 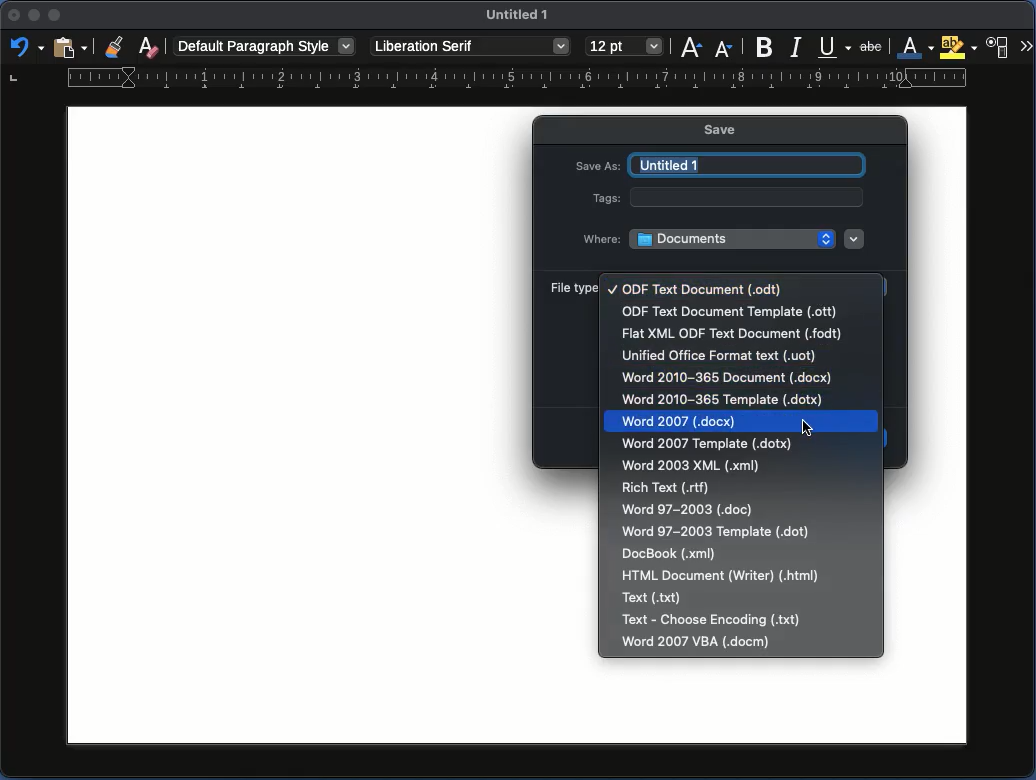 What do you see at coordinates (12, 19) in the screenshot?
I see `Close` at bounding box center [12, 19].